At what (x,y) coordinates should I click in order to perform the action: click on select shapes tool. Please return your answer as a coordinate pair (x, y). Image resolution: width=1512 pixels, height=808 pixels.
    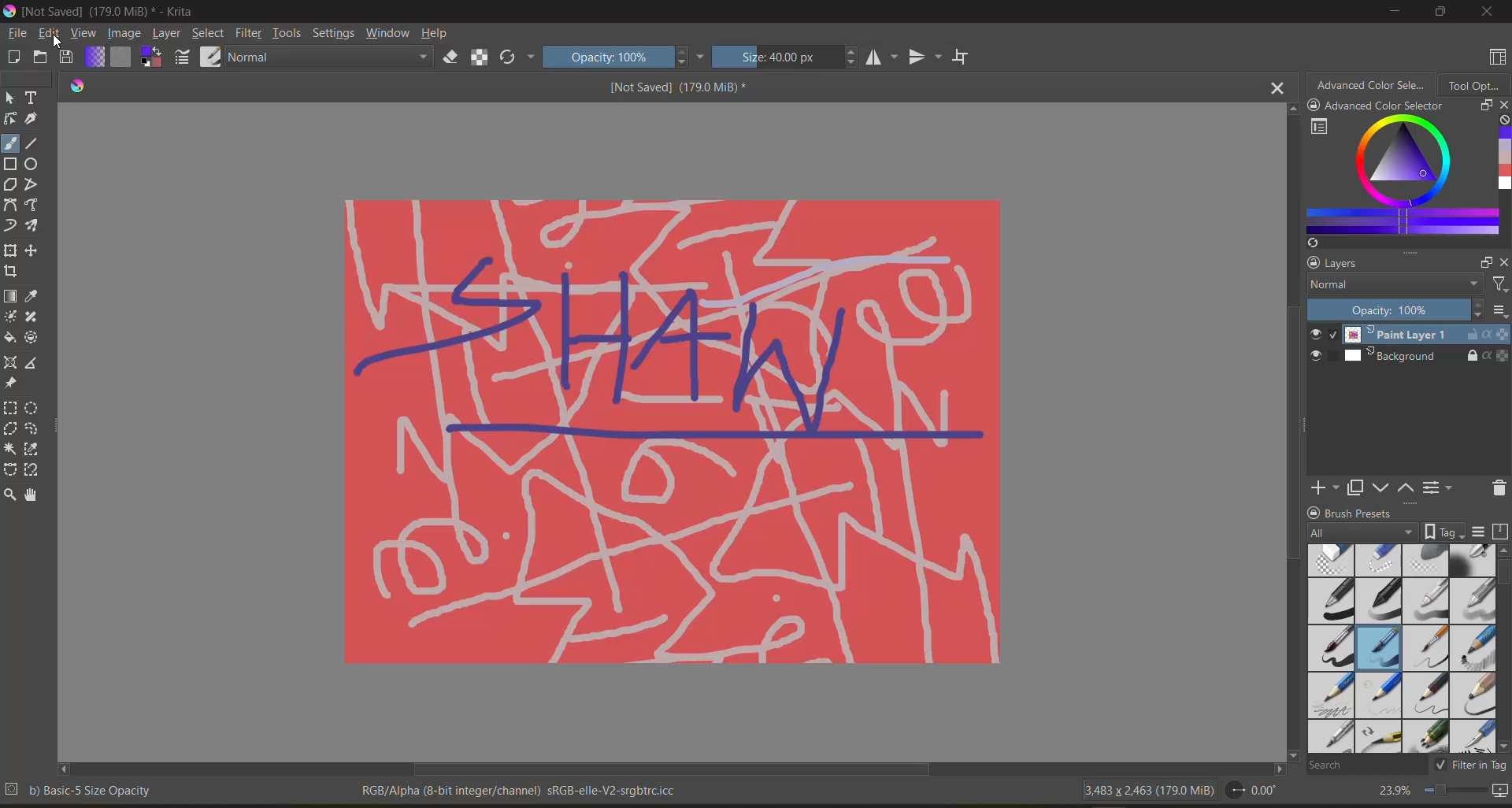
    Looking at the image, I should click on (11, 98).